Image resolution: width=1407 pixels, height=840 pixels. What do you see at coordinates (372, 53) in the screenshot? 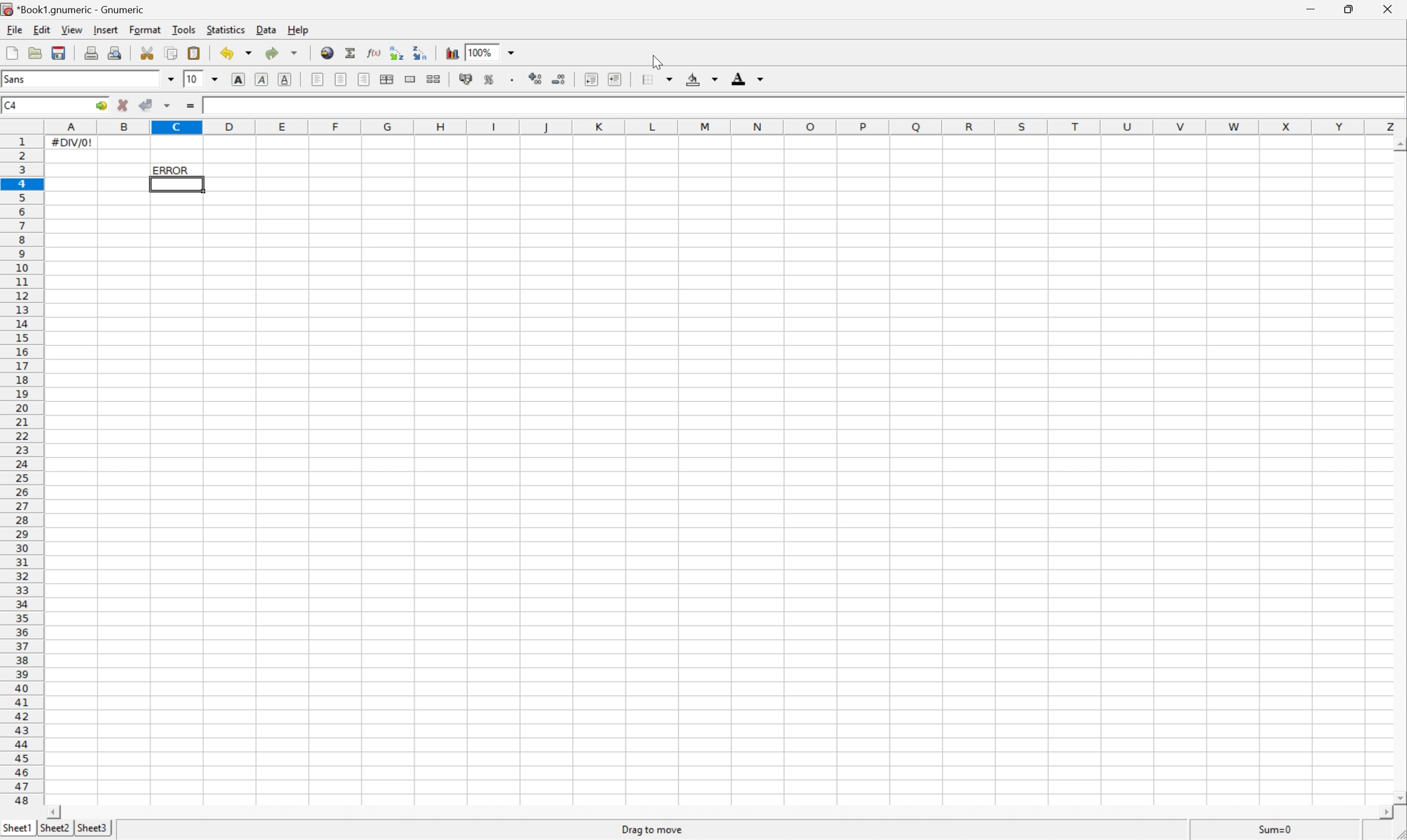
I see `Edit a function in current cell ` at bounding box center [372, 53].